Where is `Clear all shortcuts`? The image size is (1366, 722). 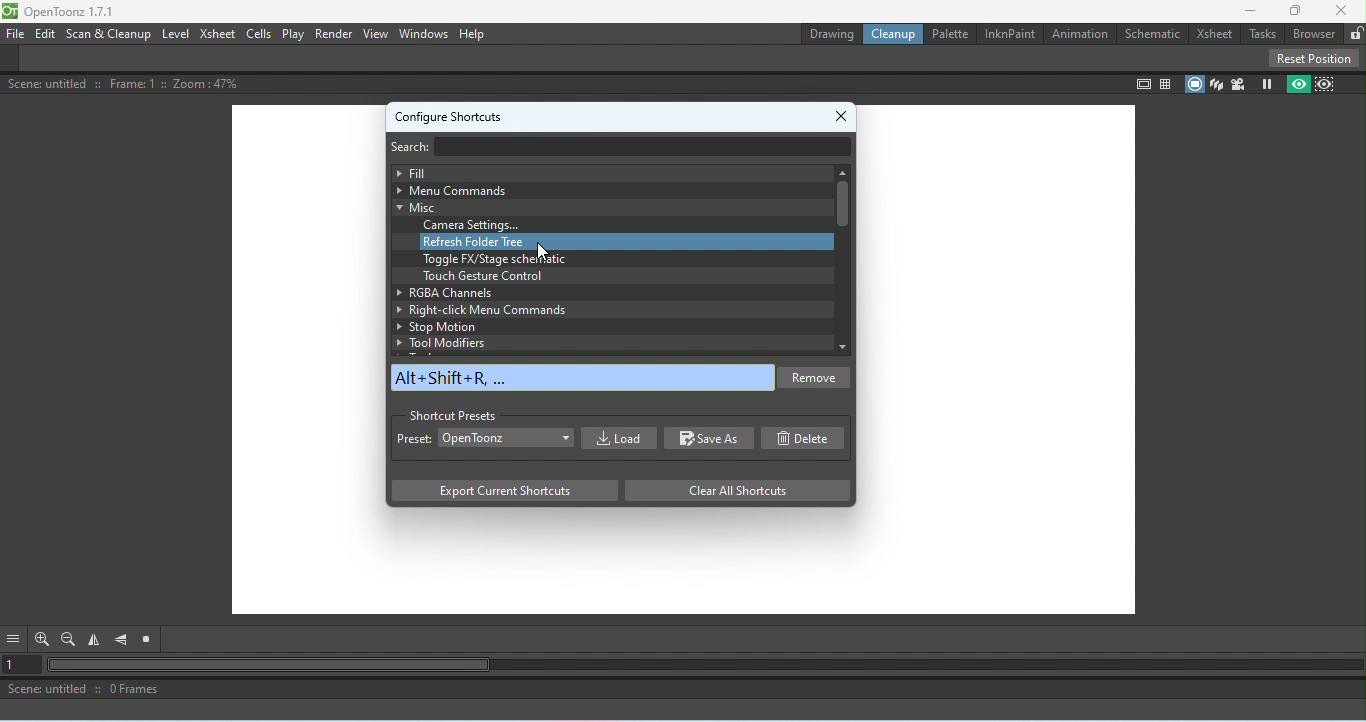 Clear all shortcuts is located at coordinates (731, 490).